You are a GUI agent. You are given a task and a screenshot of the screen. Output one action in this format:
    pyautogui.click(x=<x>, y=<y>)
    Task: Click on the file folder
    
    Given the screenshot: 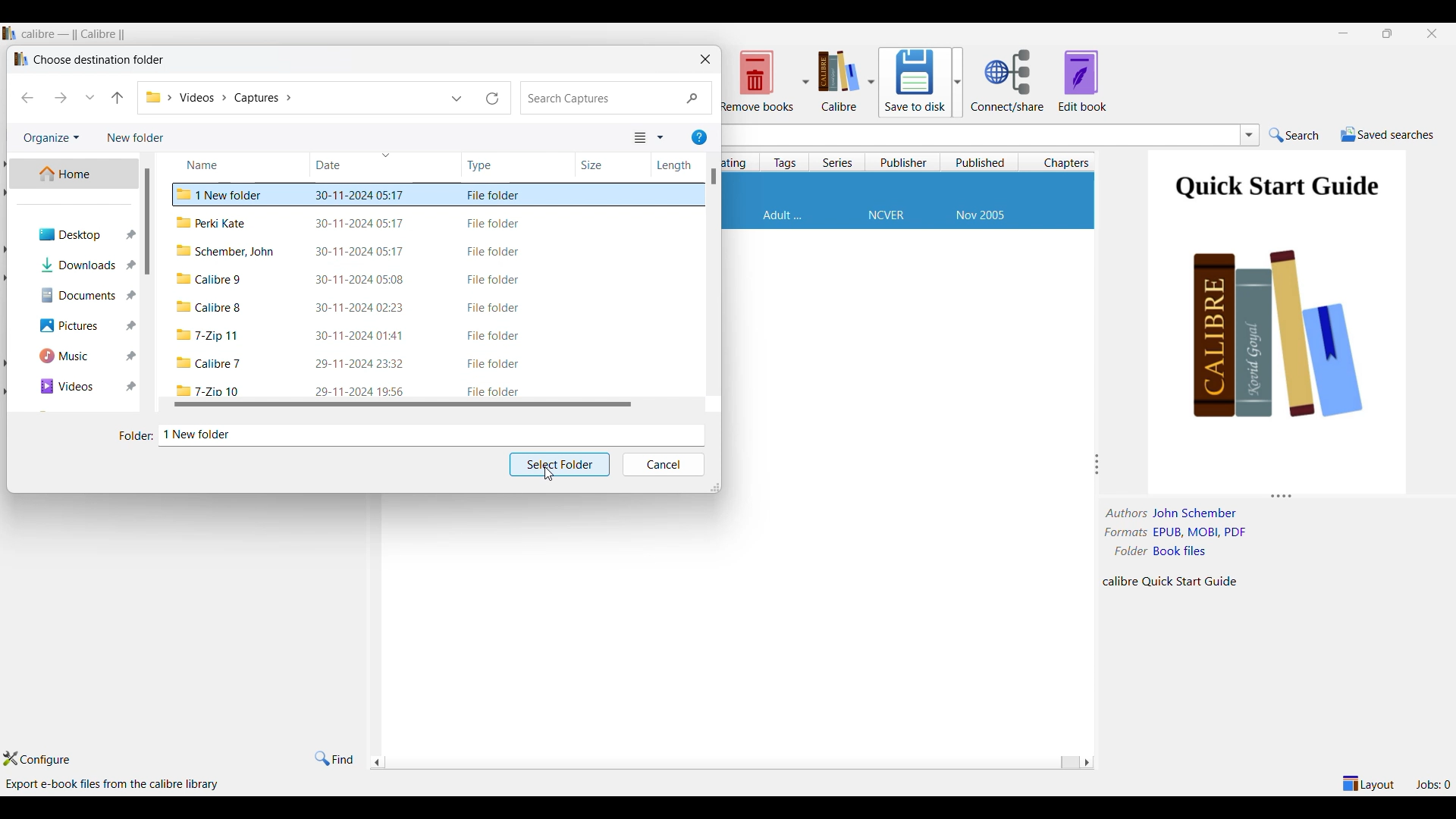 What is the action you would take?
    pyautogui.click(x=493, y=391)
    